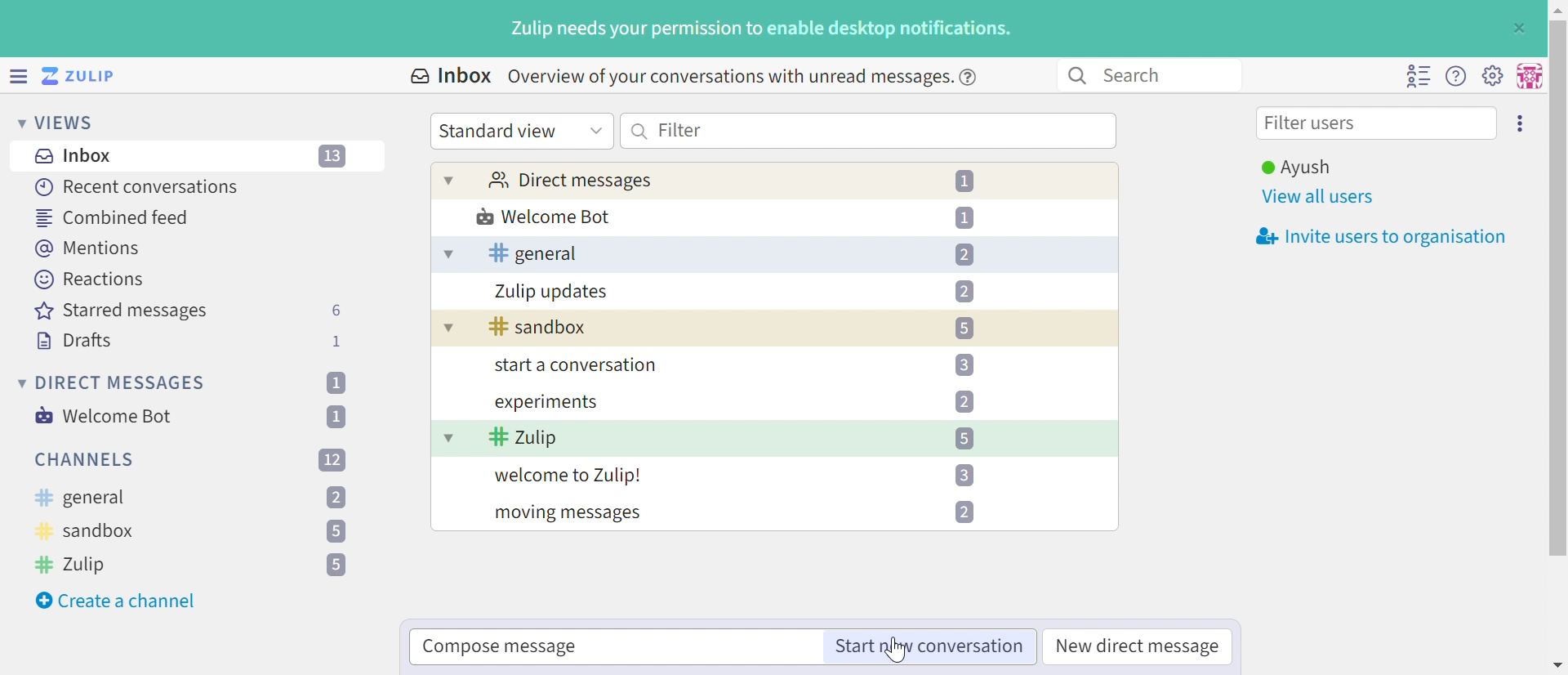 This screenshot has width=1568, height=675. Describe the element at coordinates (964, 329) in the screenshot. I see `5` at that location.